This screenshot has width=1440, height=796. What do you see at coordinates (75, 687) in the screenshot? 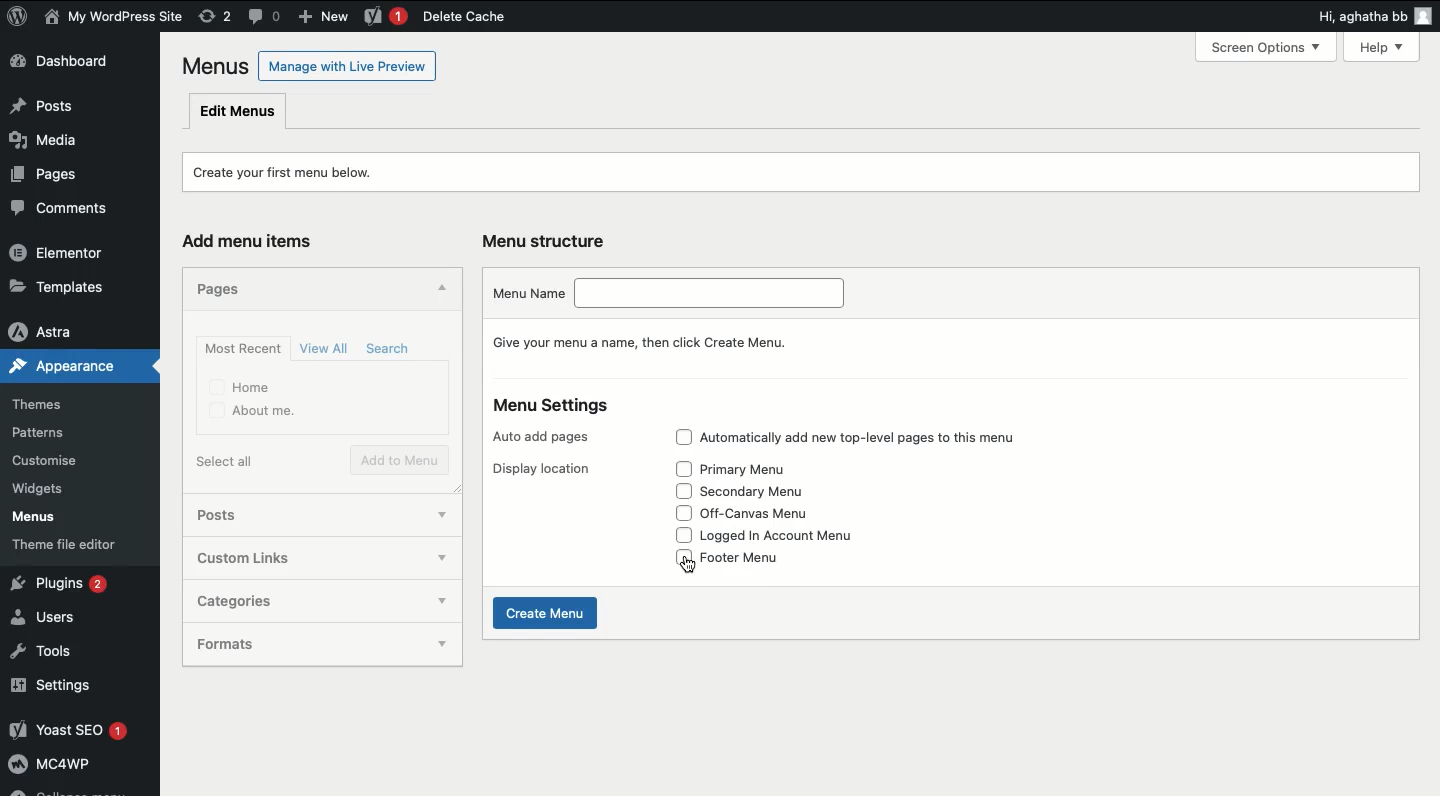
I see `Settings` at bounding box center [75, 687].